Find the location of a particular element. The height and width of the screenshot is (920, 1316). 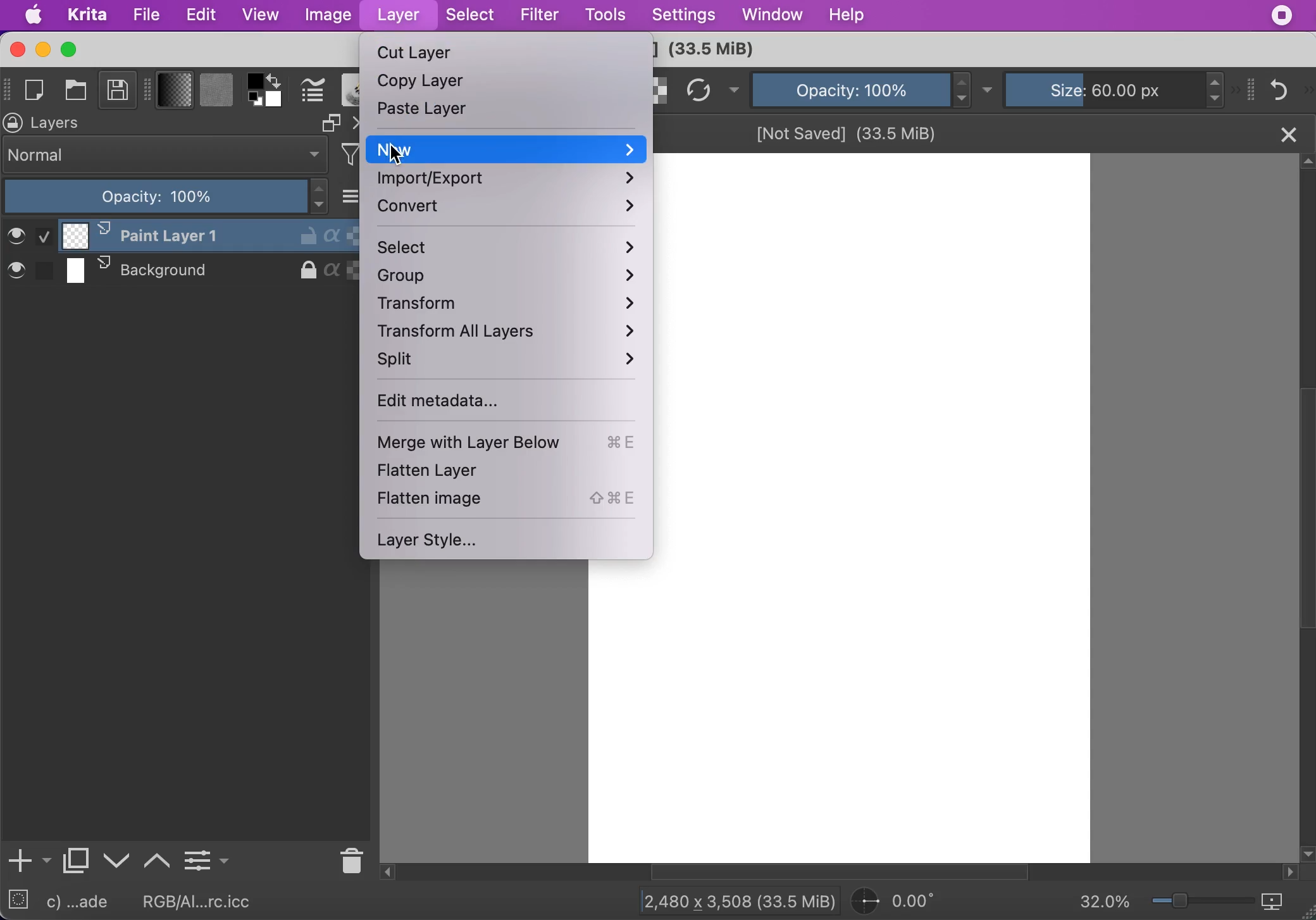

zoom is located at coordinates (1203, 904).